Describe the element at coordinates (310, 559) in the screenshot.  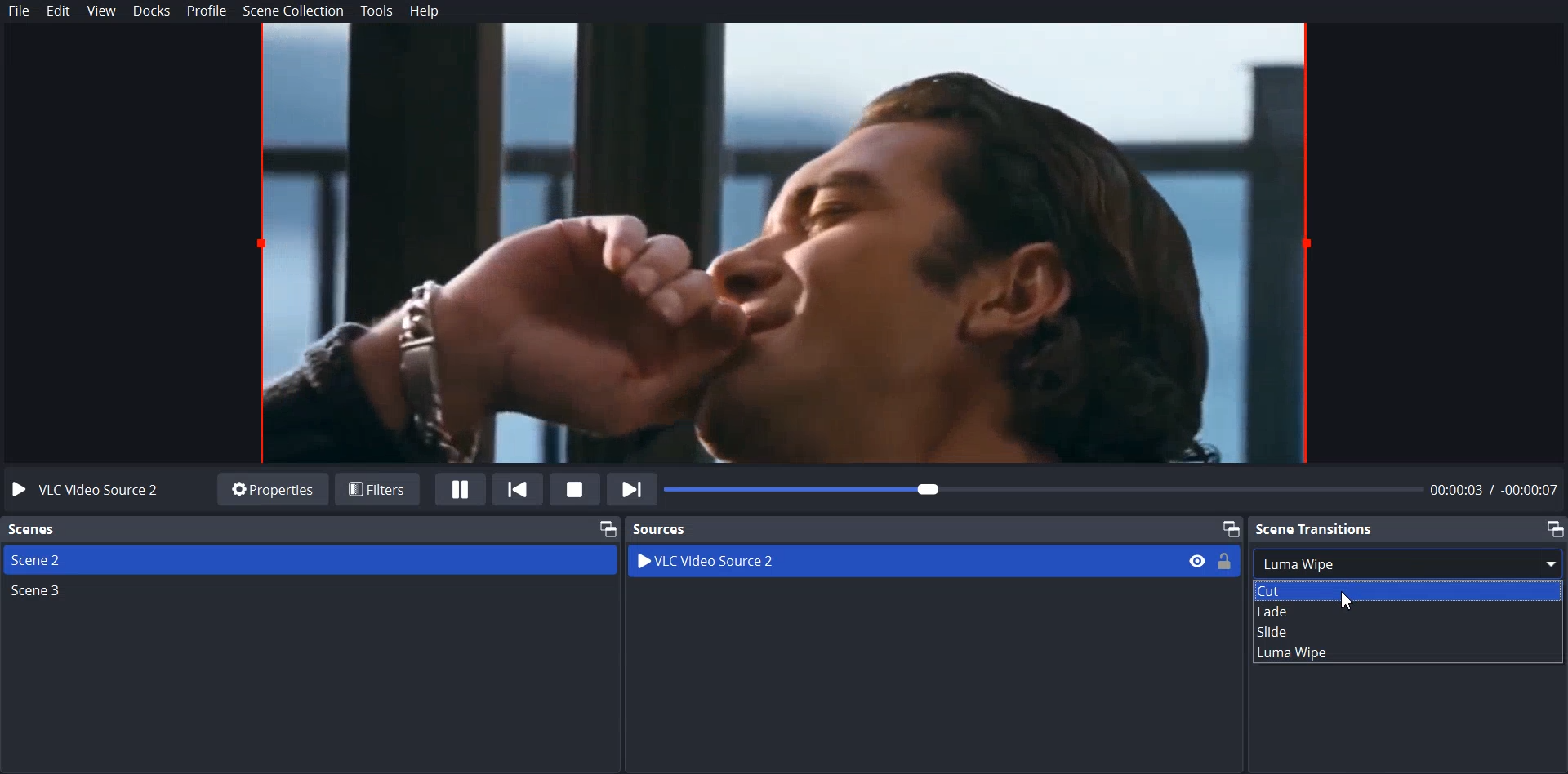
I see `Source 2` at that location.